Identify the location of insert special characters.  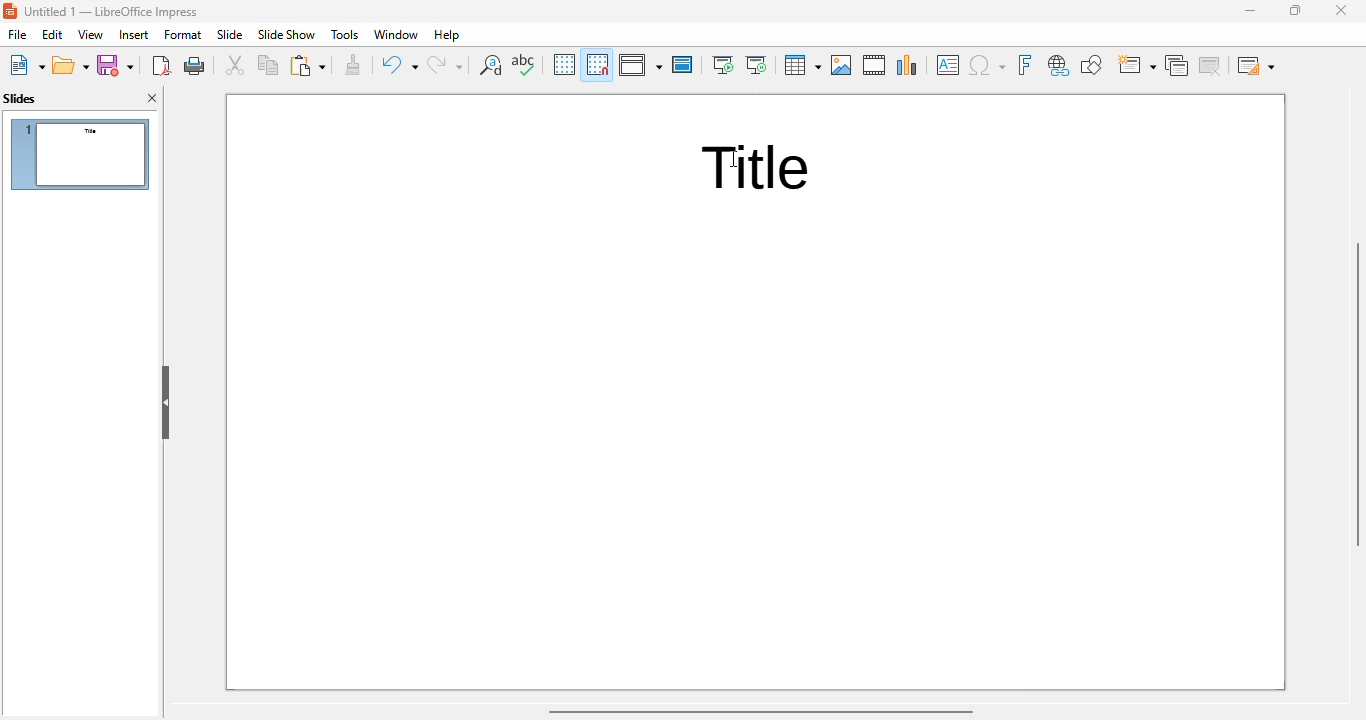
(987, 65).